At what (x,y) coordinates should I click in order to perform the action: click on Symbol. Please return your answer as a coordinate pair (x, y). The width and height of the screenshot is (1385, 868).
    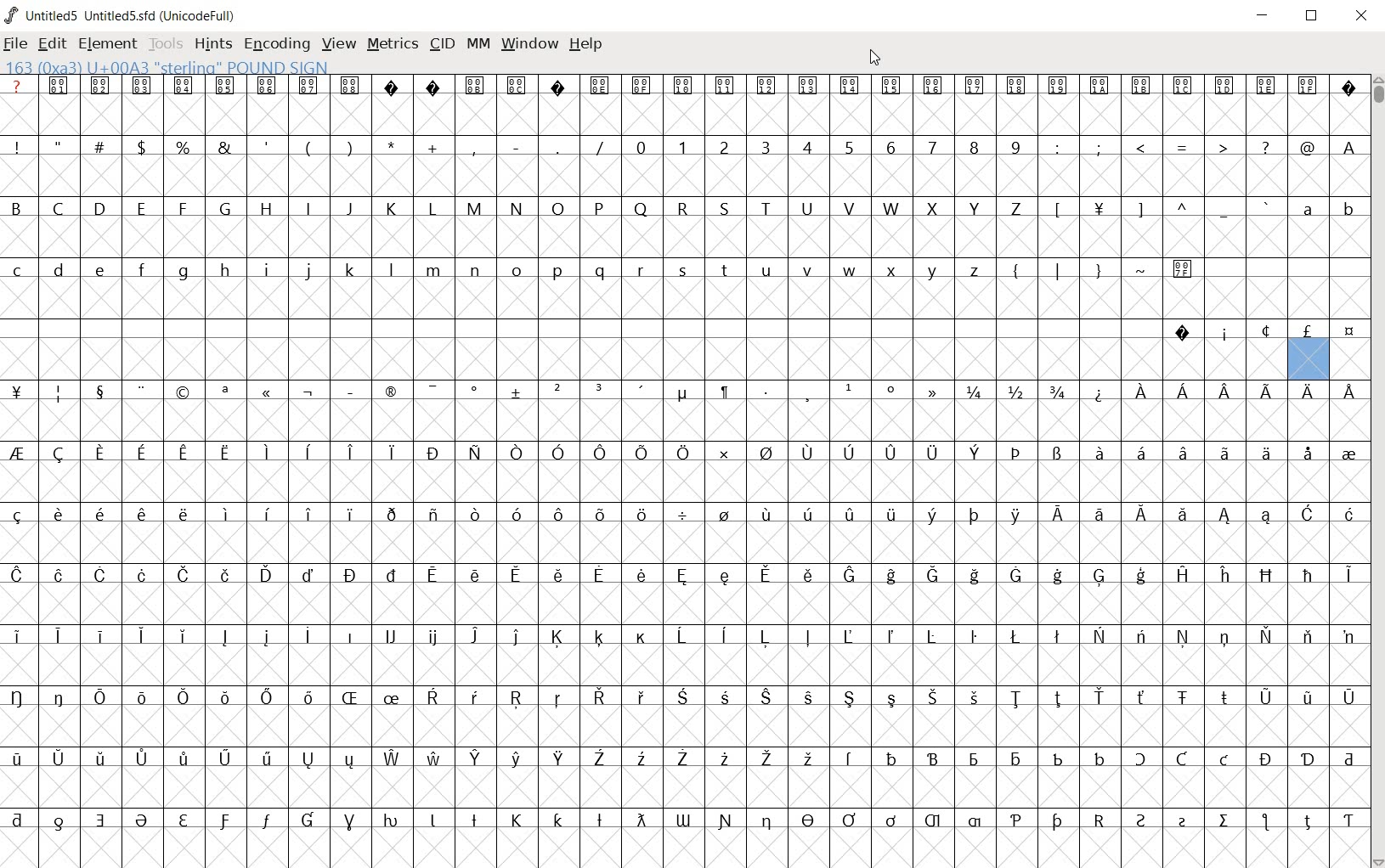
    Looking at the image, I should click on (1266, 758).